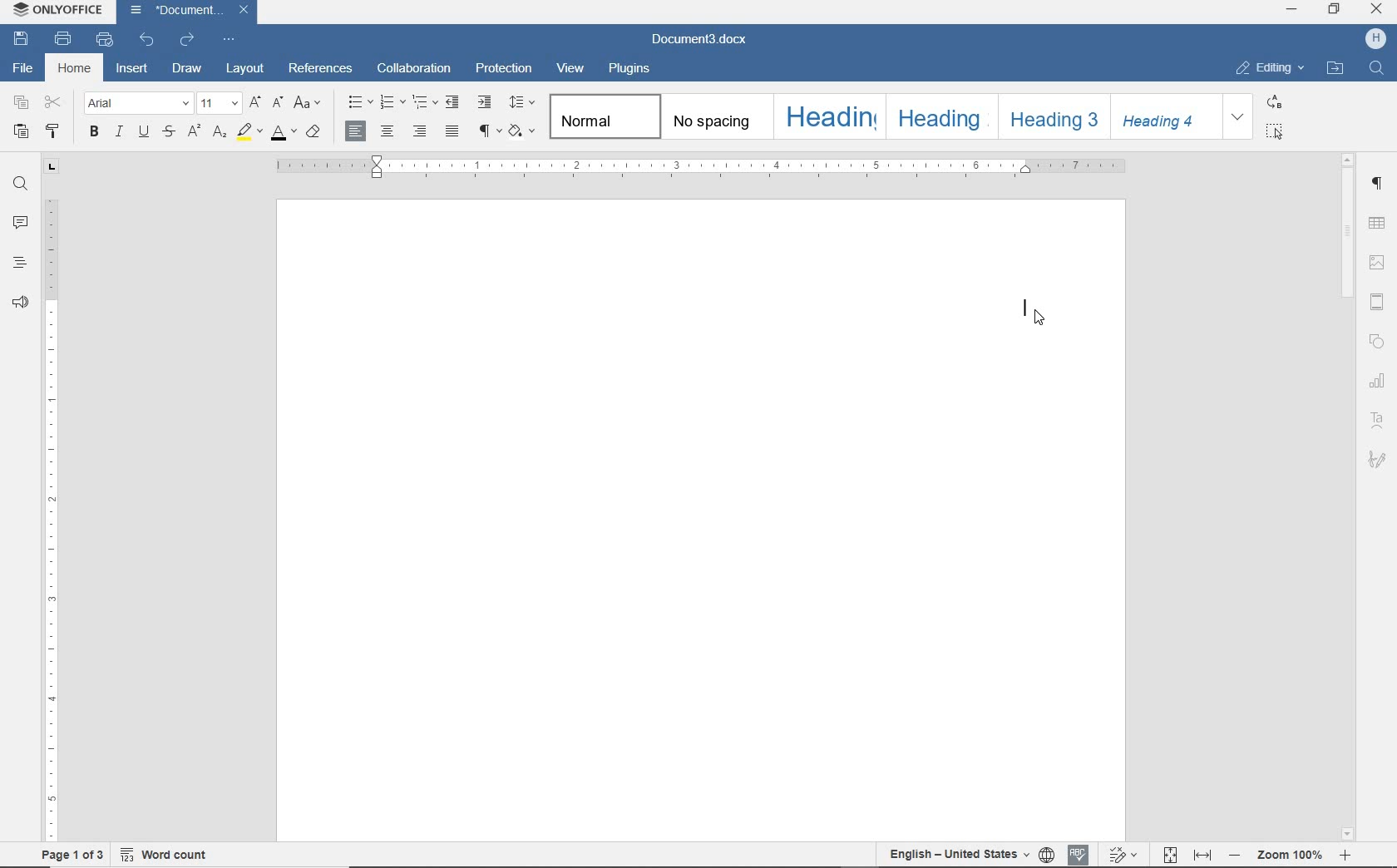  I want to click on SAVE, so click(23, 38).